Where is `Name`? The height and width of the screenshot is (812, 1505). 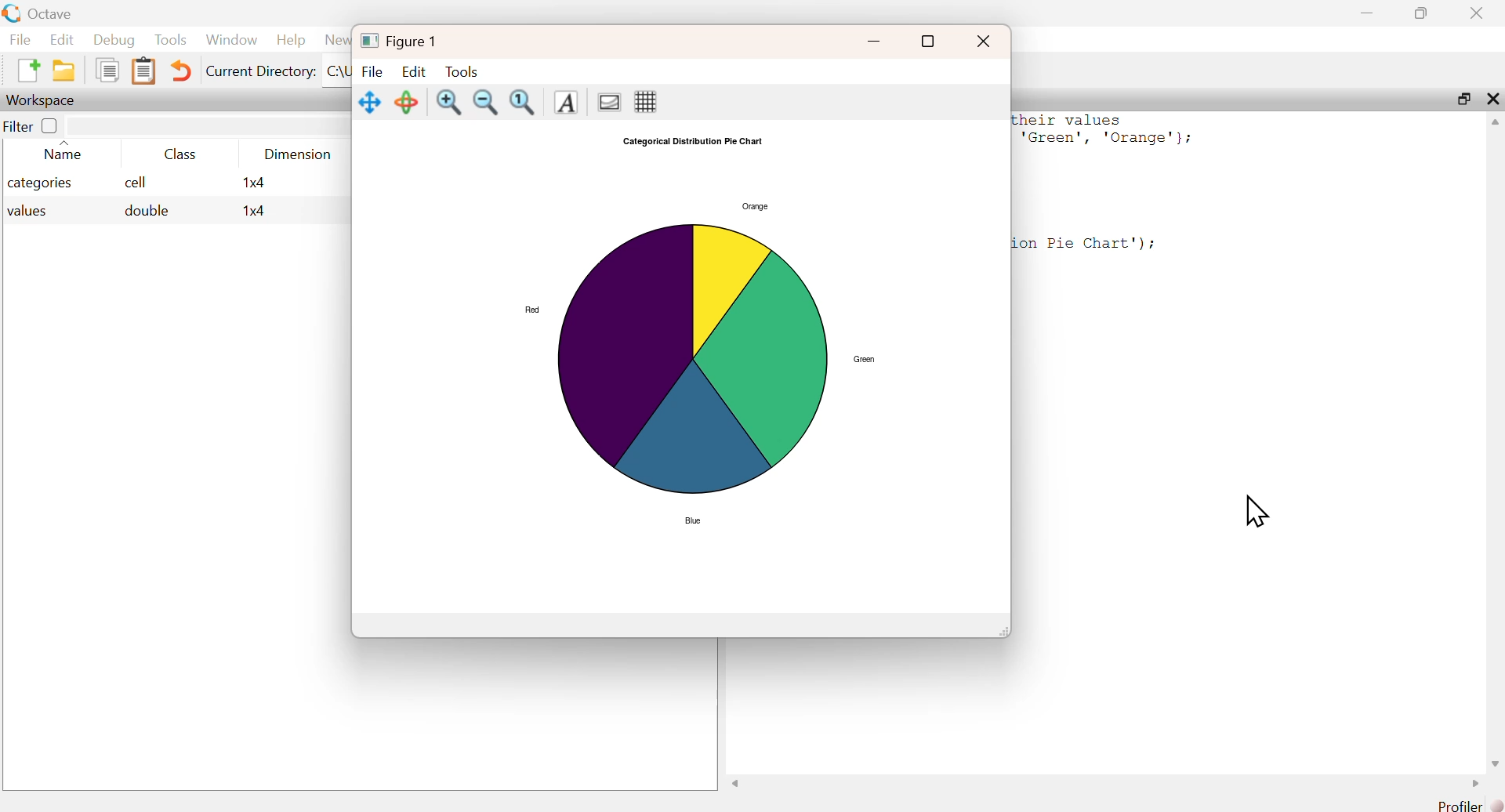 Name is located at coordinates (62, 150).